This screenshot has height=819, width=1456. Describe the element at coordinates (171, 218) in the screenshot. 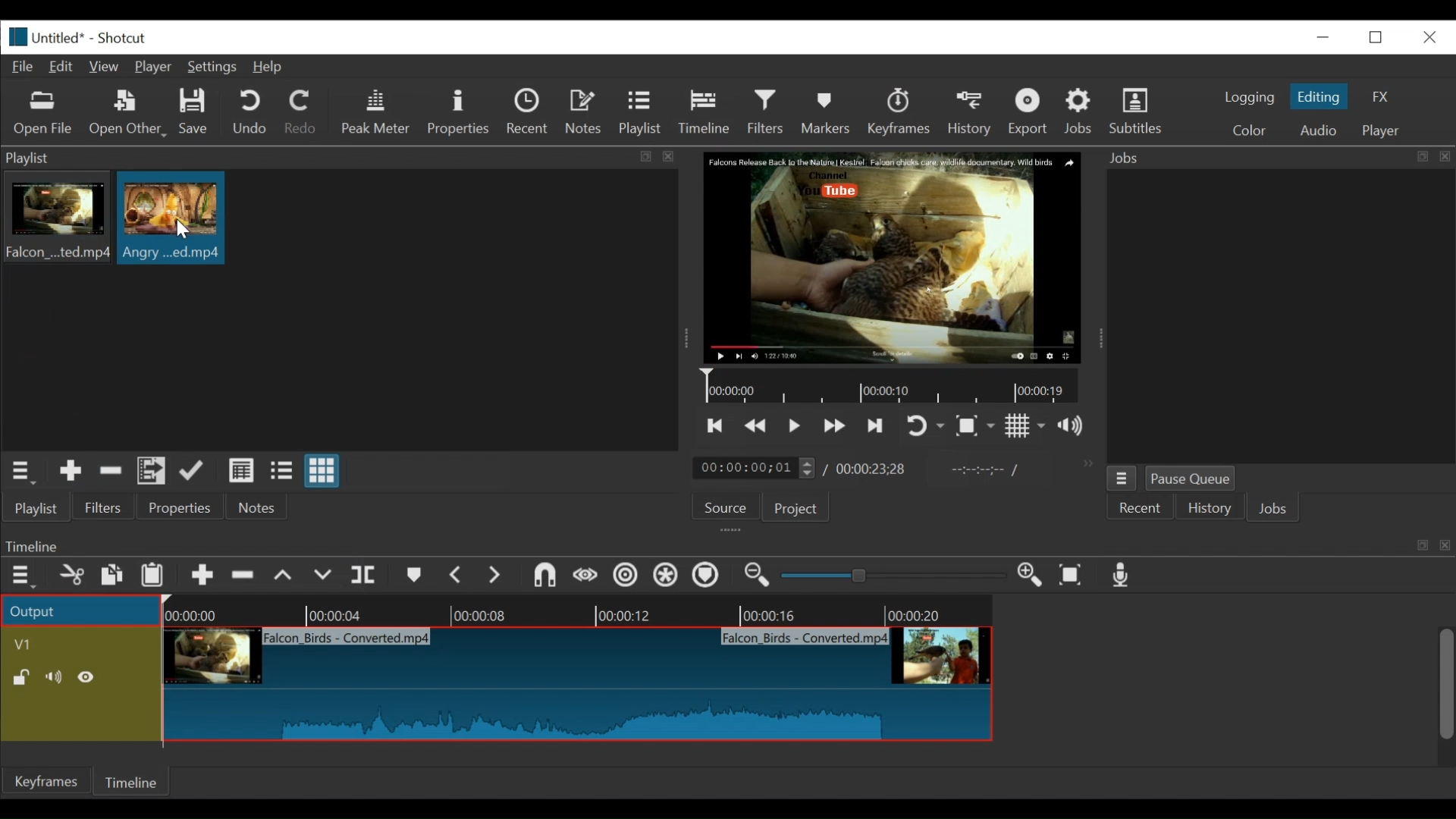

I see `clip` at that location.